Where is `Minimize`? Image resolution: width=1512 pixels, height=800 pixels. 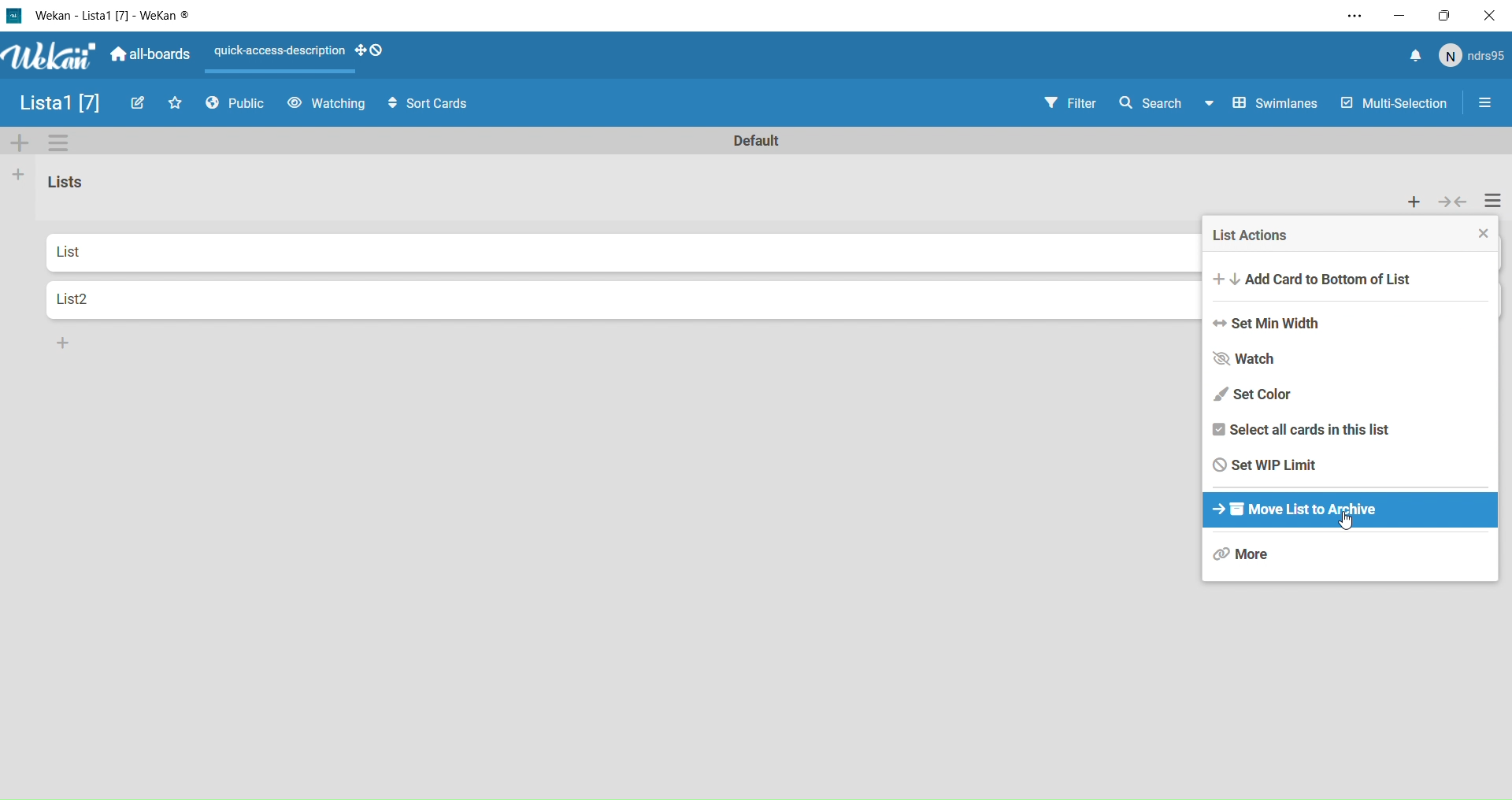
Minimize is located at coordinates (1397, 16).